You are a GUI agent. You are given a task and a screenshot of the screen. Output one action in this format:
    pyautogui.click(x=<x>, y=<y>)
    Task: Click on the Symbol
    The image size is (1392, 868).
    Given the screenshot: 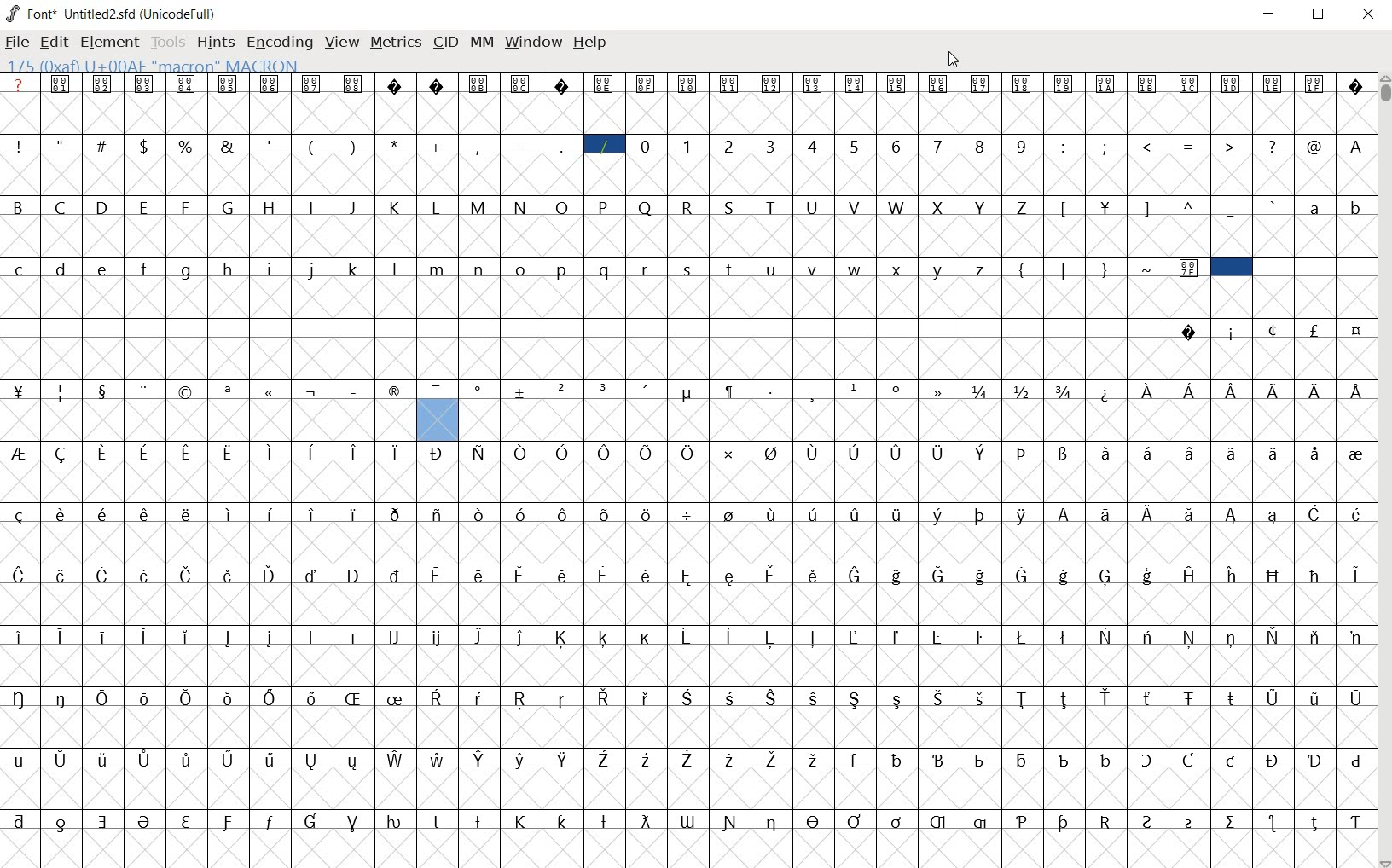 What is the action you would take?
    pyautogui.click(x=1314, y=454)
    